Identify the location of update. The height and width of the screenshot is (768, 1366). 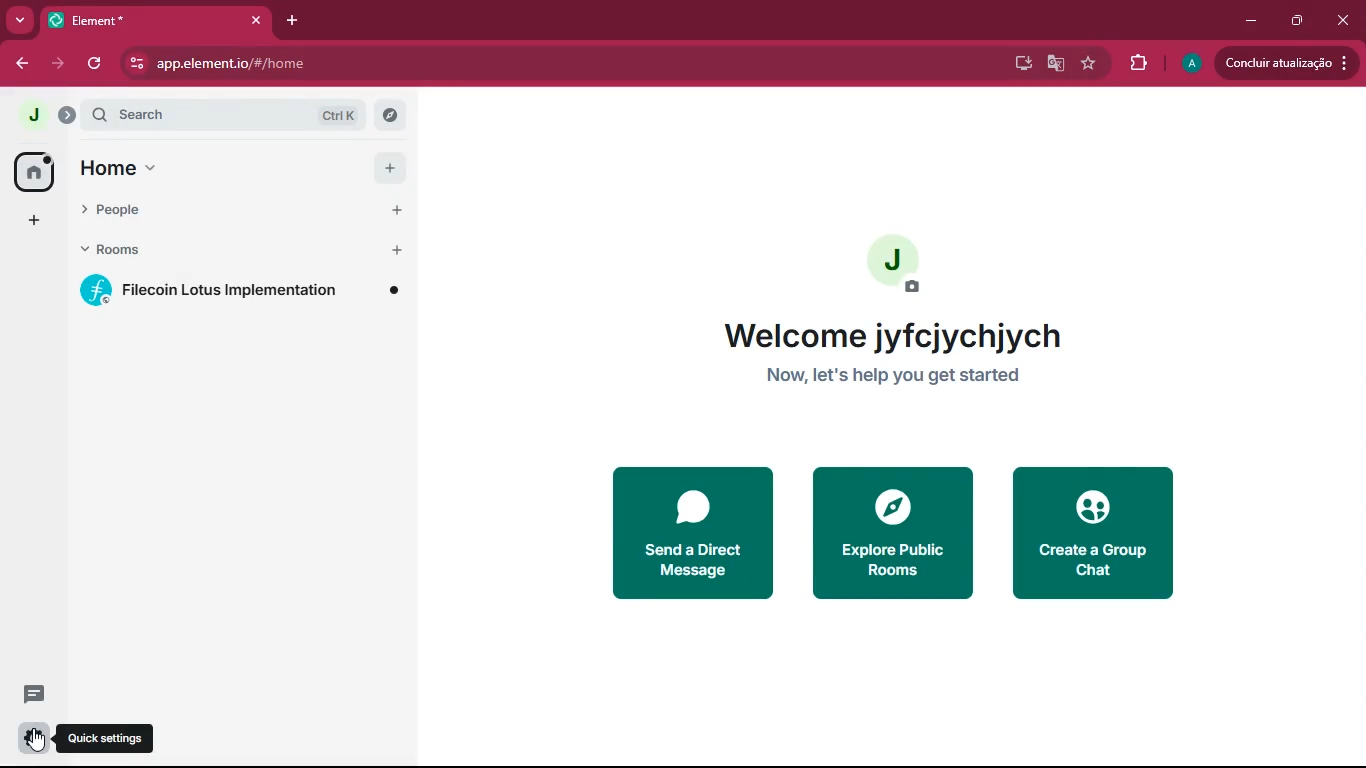
(1287, 63).